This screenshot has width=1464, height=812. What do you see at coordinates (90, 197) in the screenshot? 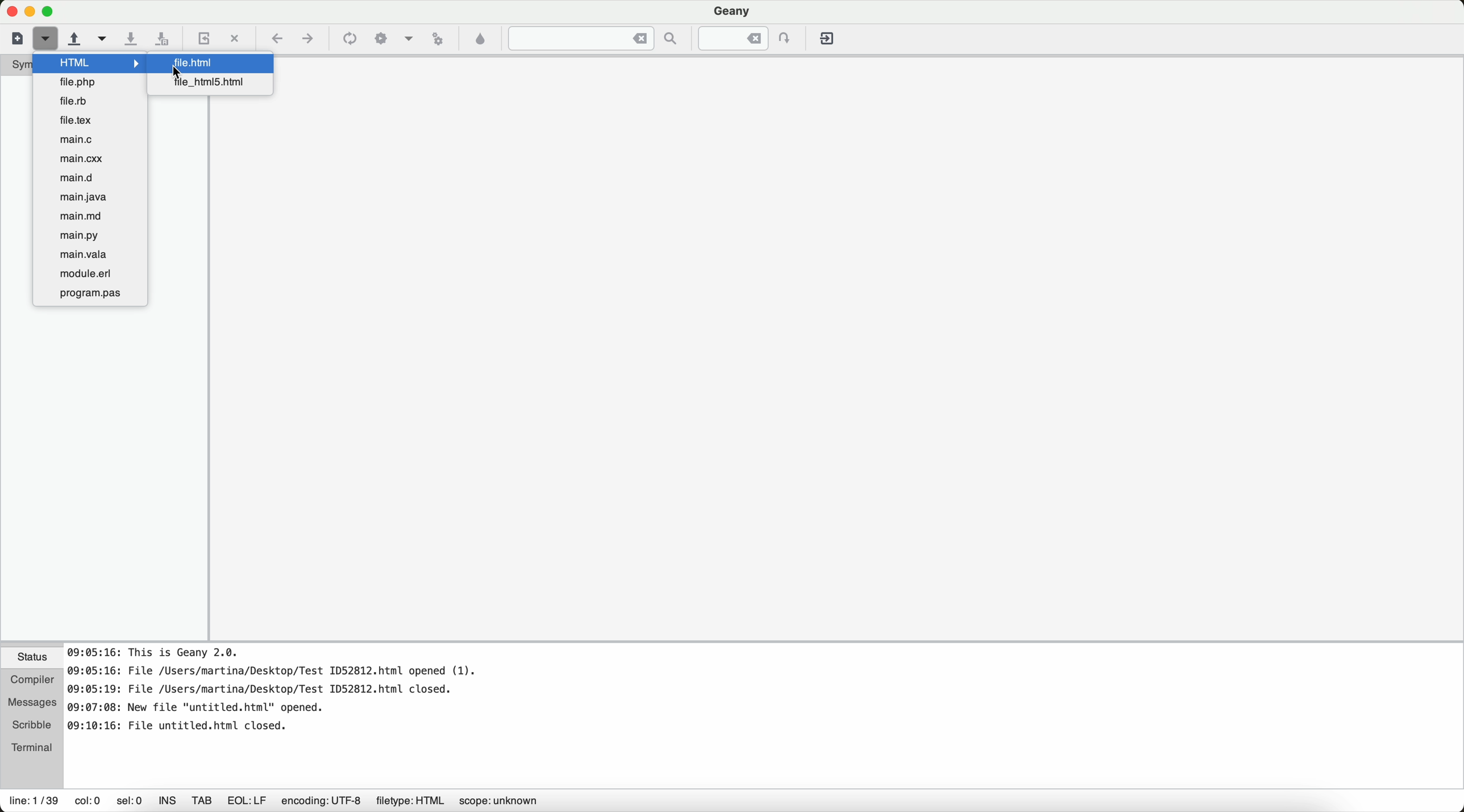
I see `main.java` at bounding box center [90, 197].